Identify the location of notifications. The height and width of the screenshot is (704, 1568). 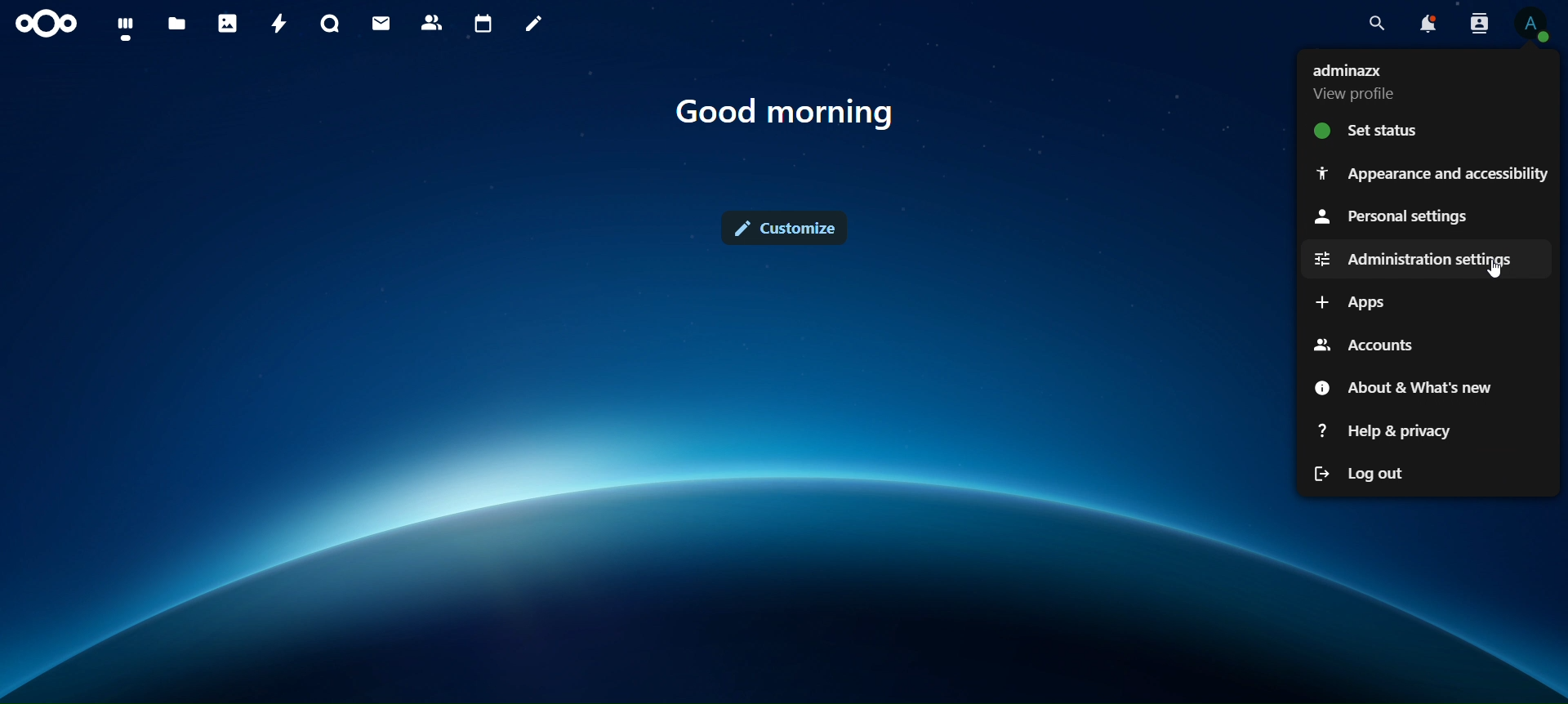
(1423, 25).